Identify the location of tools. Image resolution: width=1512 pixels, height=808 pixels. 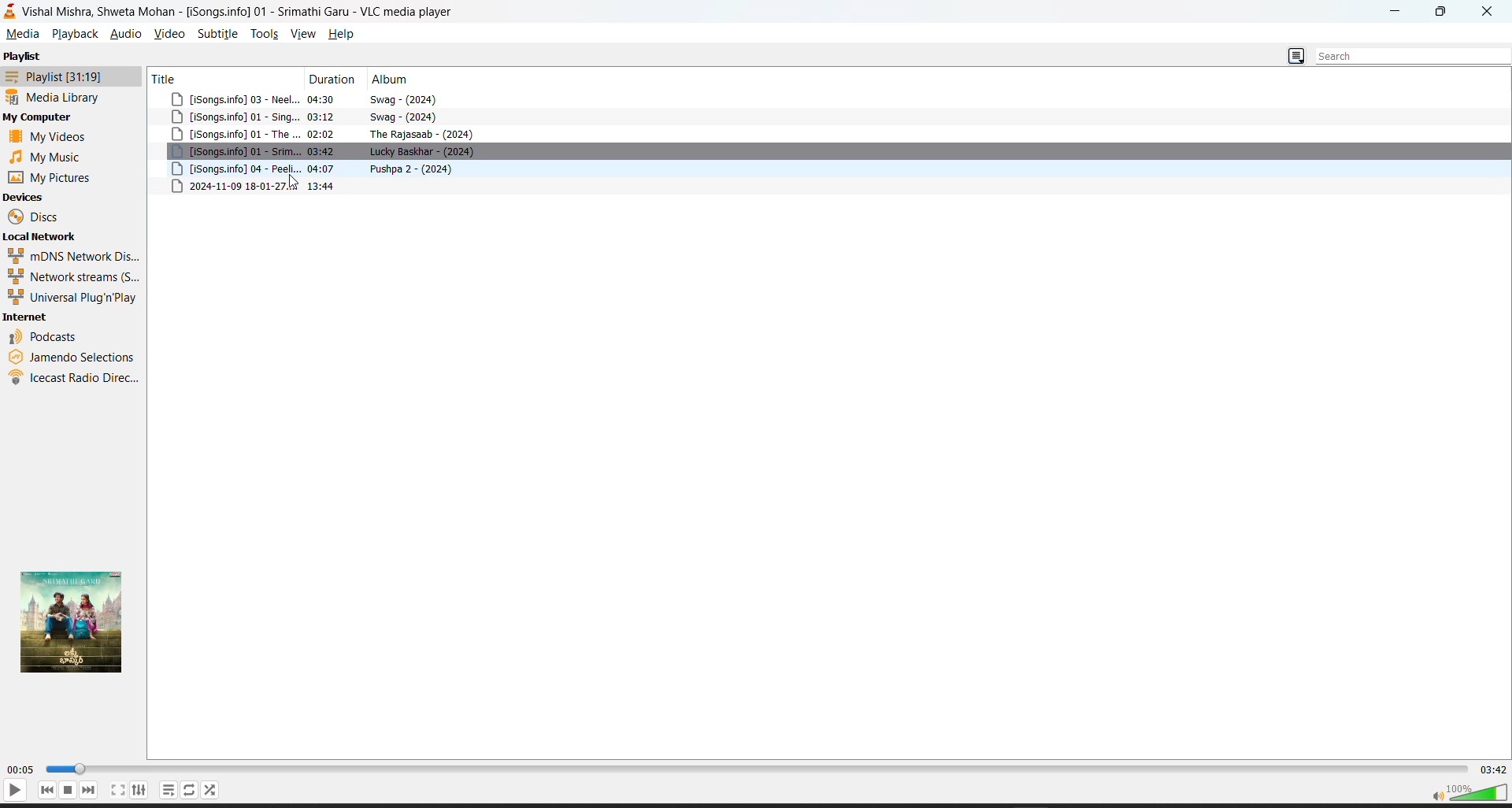
(262, 35).